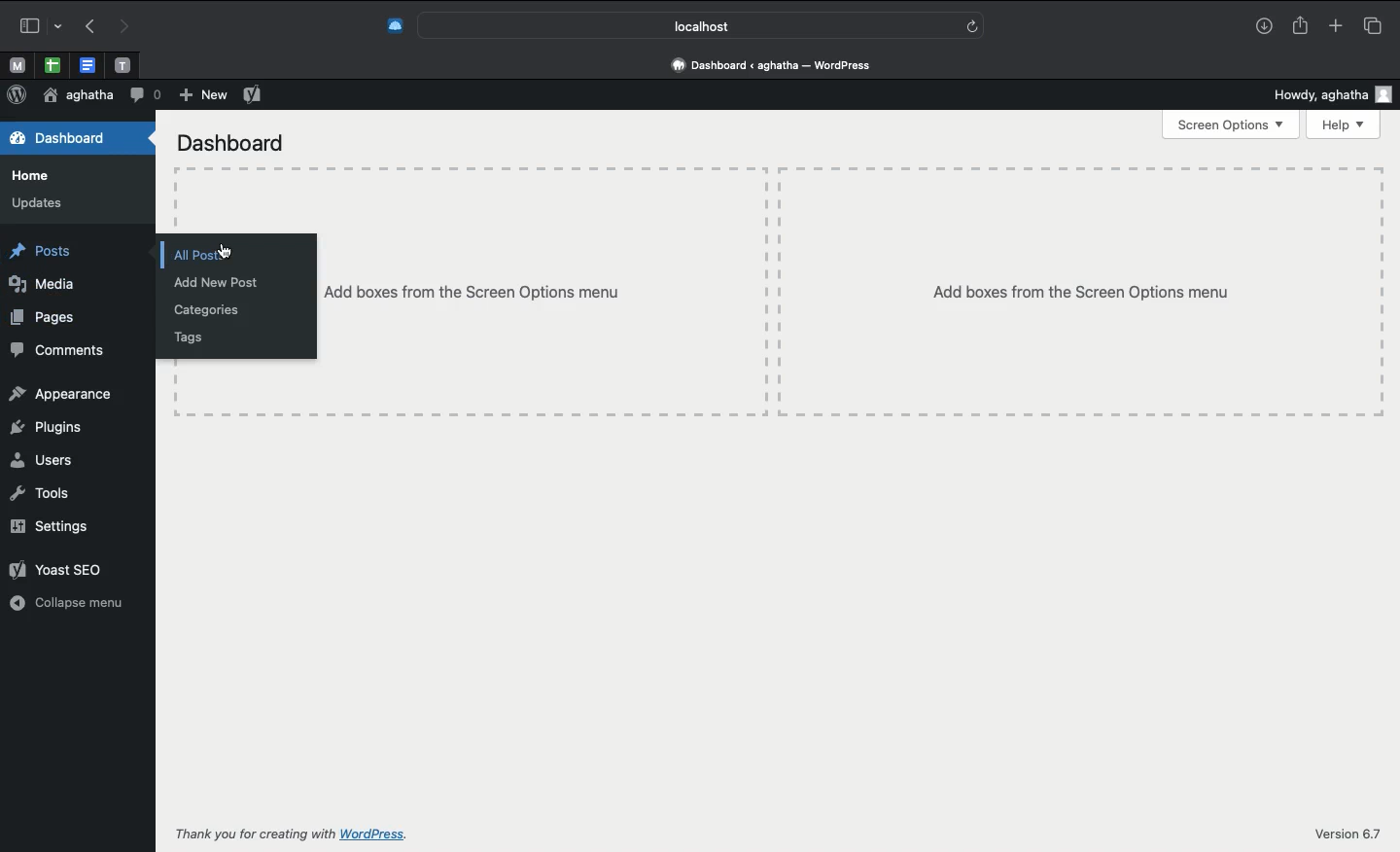 The image size is (1400, 852). What do you see at coordinates (122, 28) in the screenshot?
I see `Next page` at bounding box center [122, 28].